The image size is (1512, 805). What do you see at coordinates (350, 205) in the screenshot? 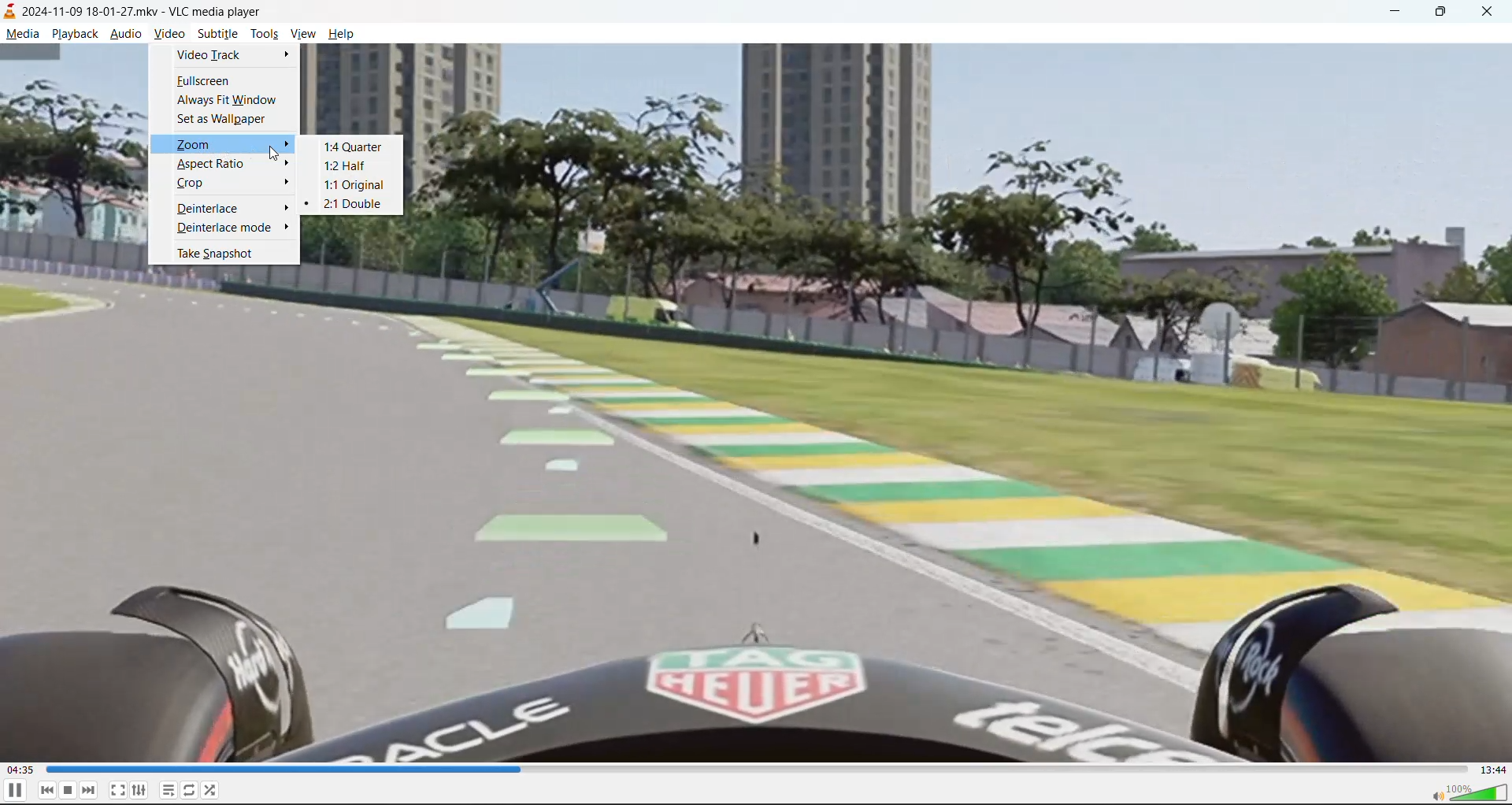
I see `2:1 double` at bounding box center [350, 205].